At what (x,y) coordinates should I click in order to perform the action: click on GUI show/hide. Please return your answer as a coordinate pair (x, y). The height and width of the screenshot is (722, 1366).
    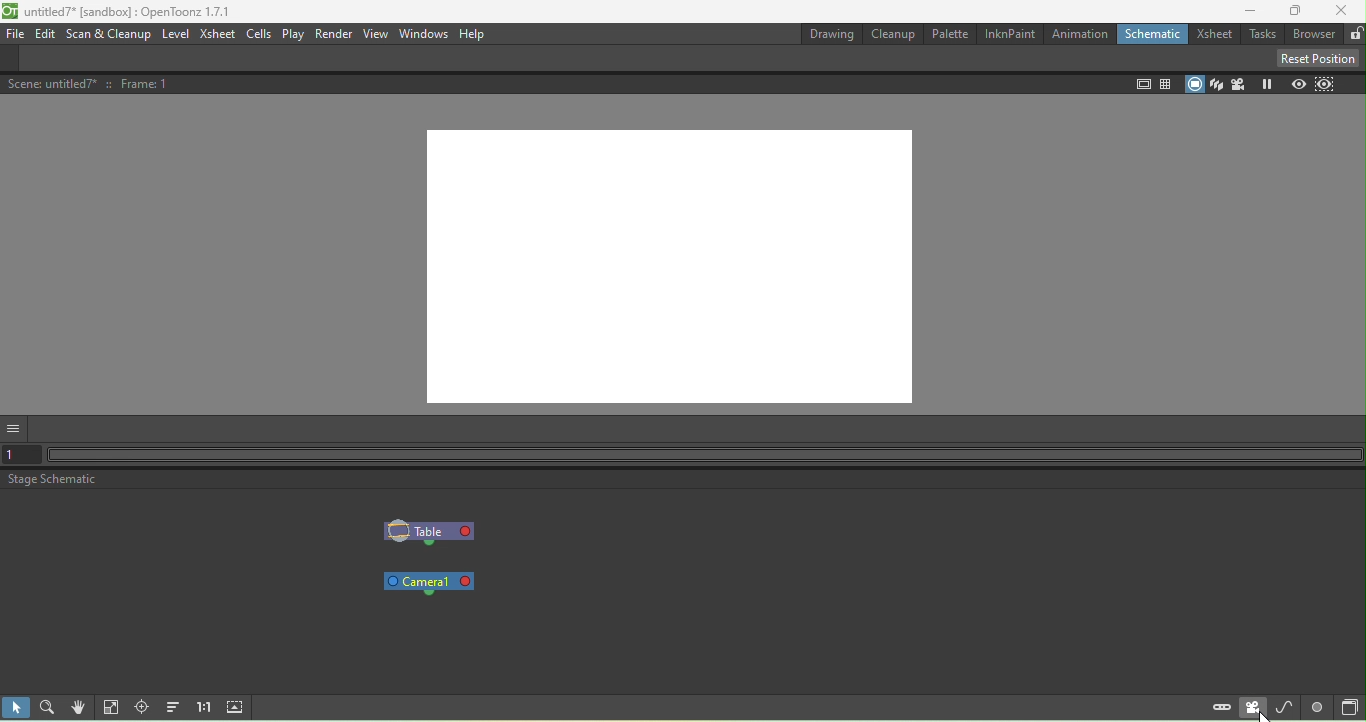
    Looking at the image, I should click on (16, 428).